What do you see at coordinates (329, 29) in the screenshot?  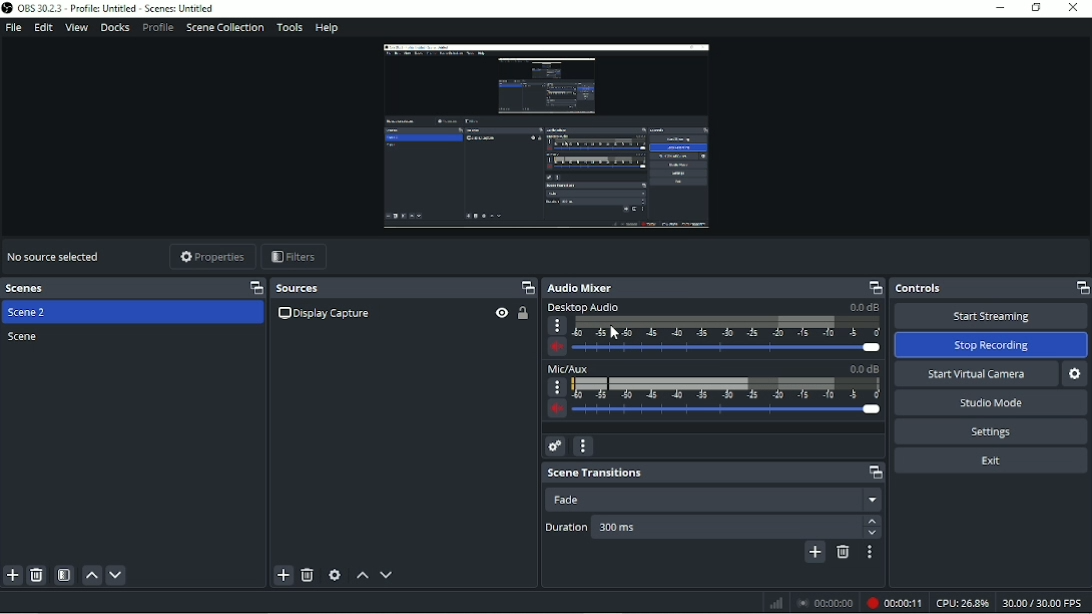 I see `Help` at bounding box center [329, 29].